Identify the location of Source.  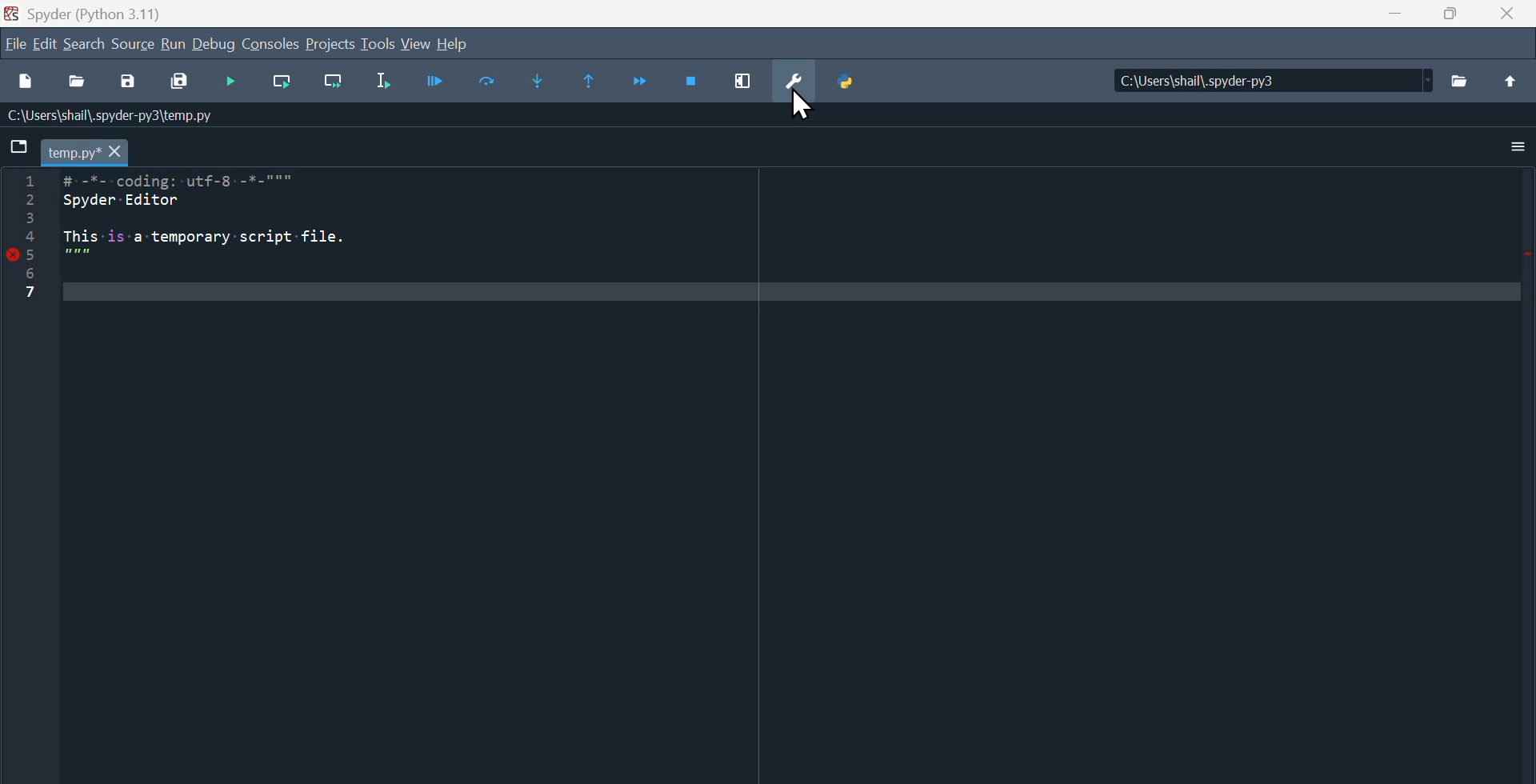
(134, 48).